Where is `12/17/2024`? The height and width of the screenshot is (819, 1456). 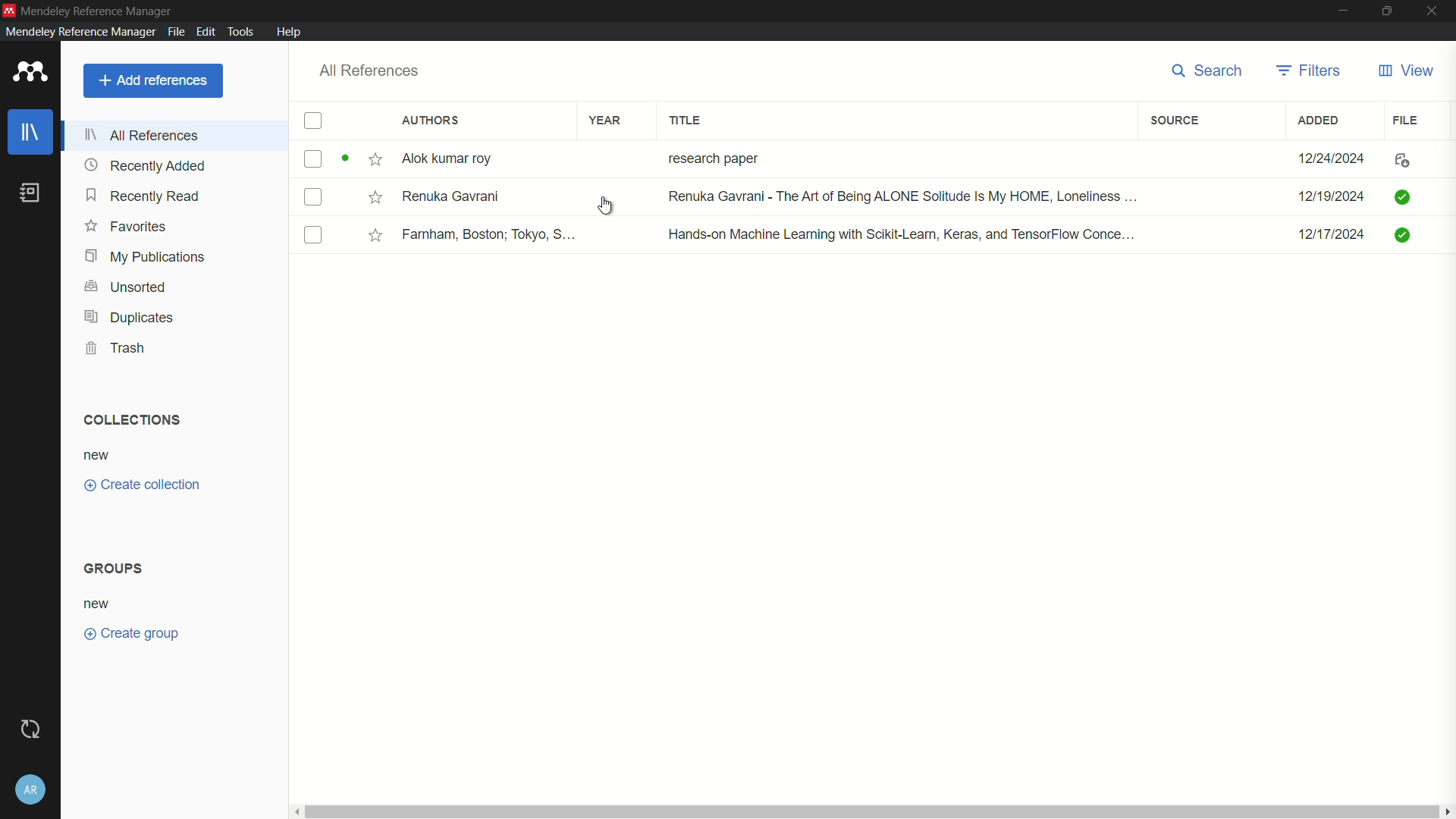
12/17/2024 is located at coordinates (1323, 234).